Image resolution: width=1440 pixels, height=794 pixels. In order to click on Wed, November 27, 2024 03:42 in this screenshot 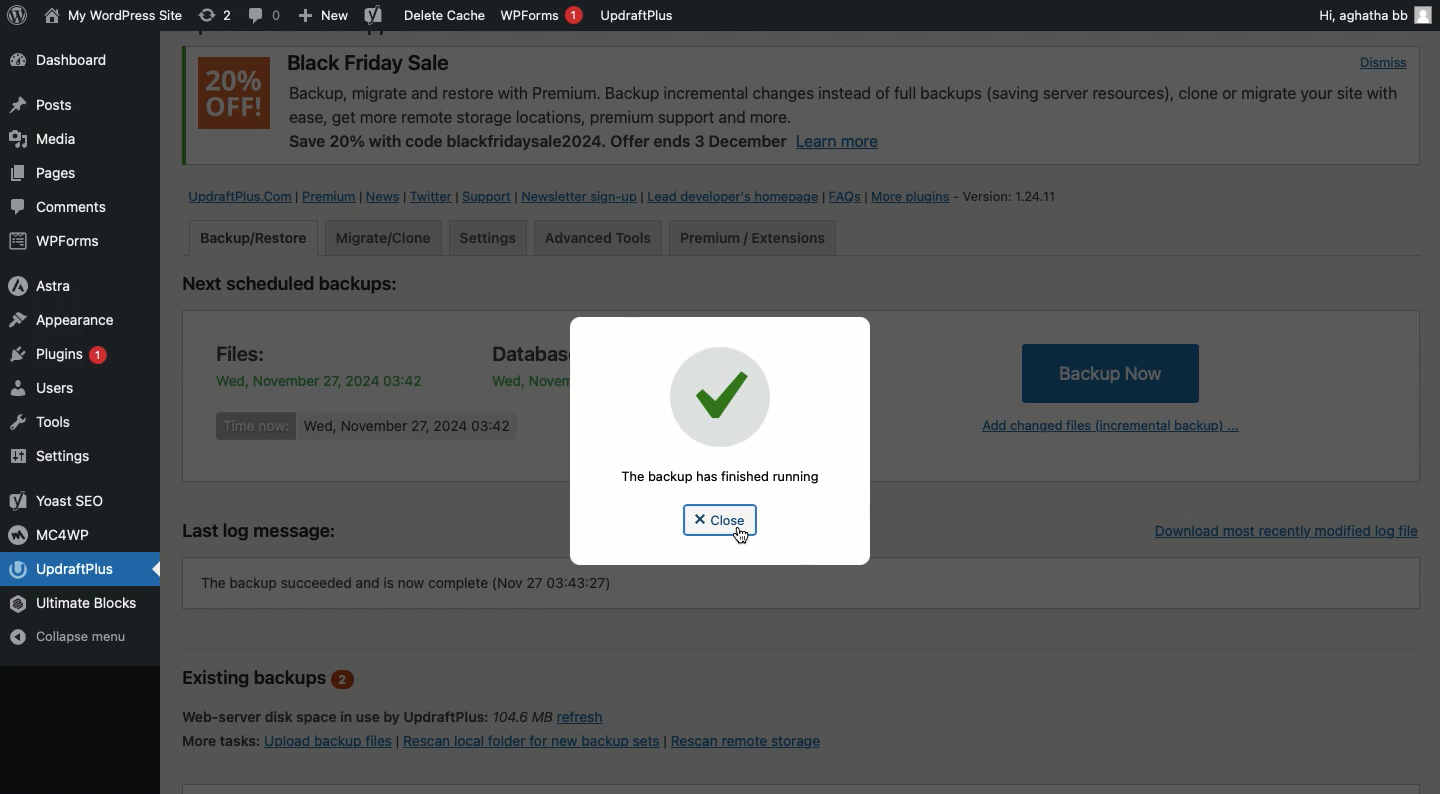, I will do `click(319, 378)`.